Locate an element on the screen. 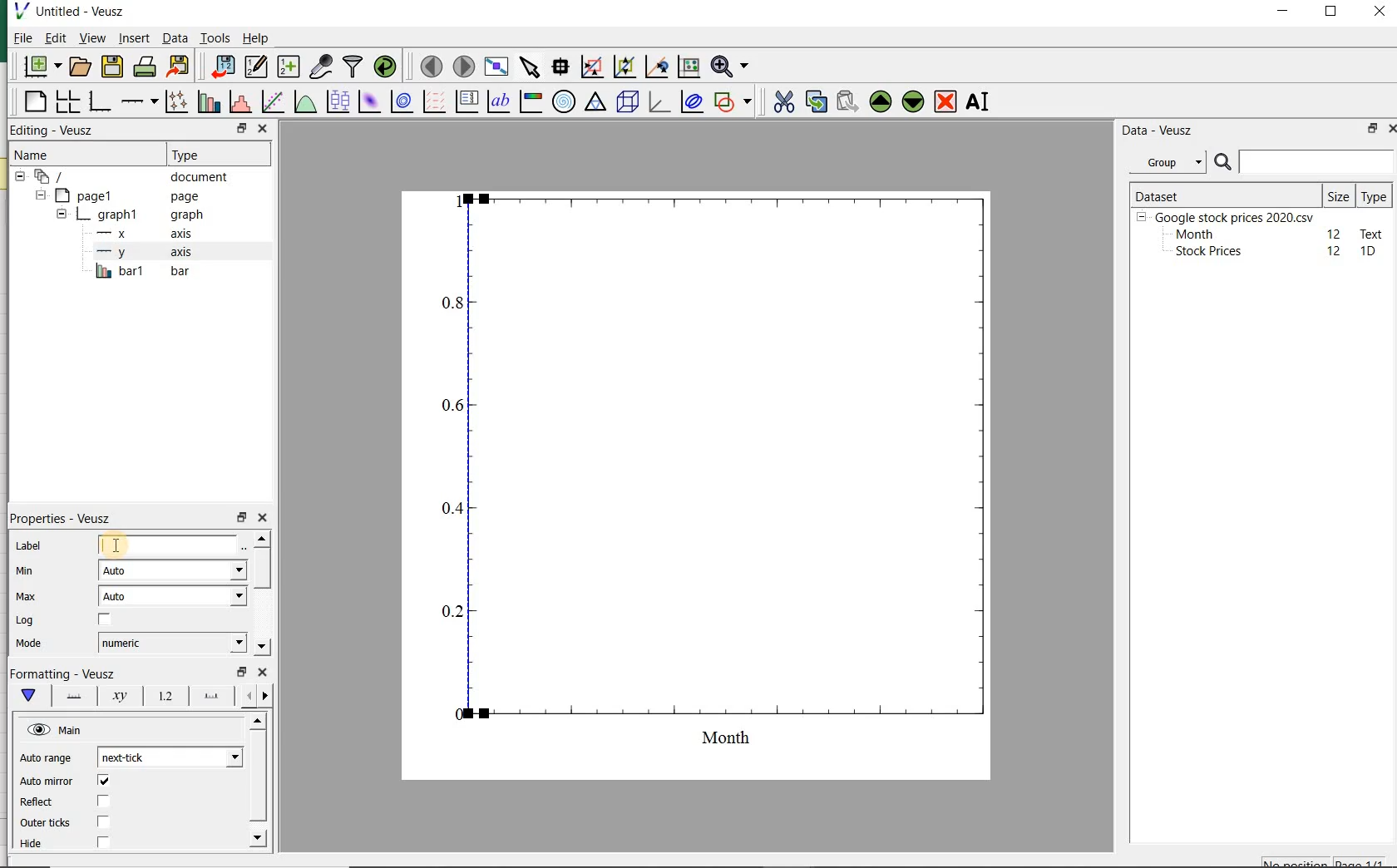 The image size is (1397, 868). Auto range is located at coordinates (46, 759).